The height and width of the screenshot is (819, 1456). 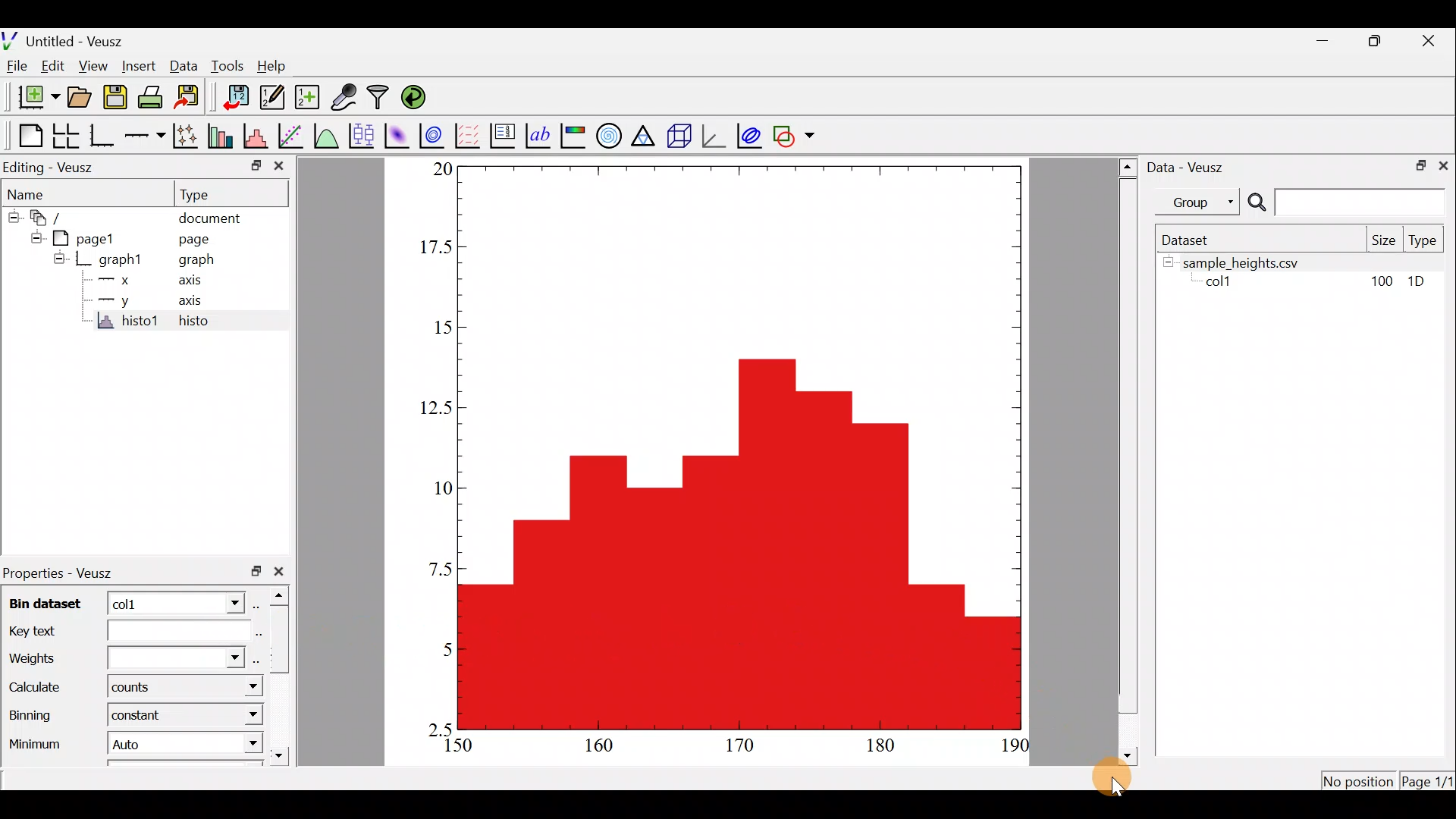 What do you see at coordinates (238, 715) in the screenshot?
I see `Binning dropdown` at bounding box center [238, 715].